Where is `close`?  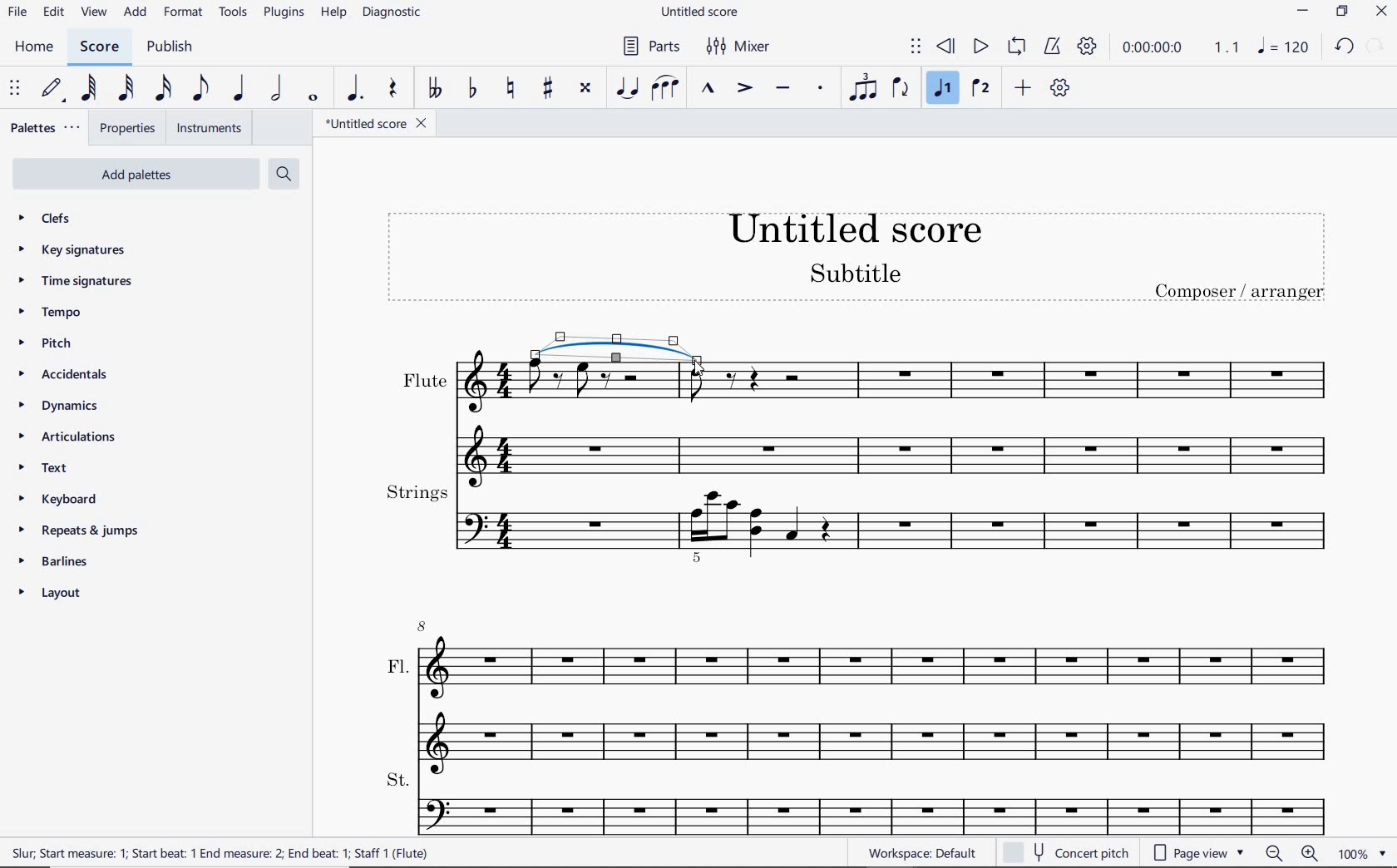
close is located at coordinates (1384, 11).